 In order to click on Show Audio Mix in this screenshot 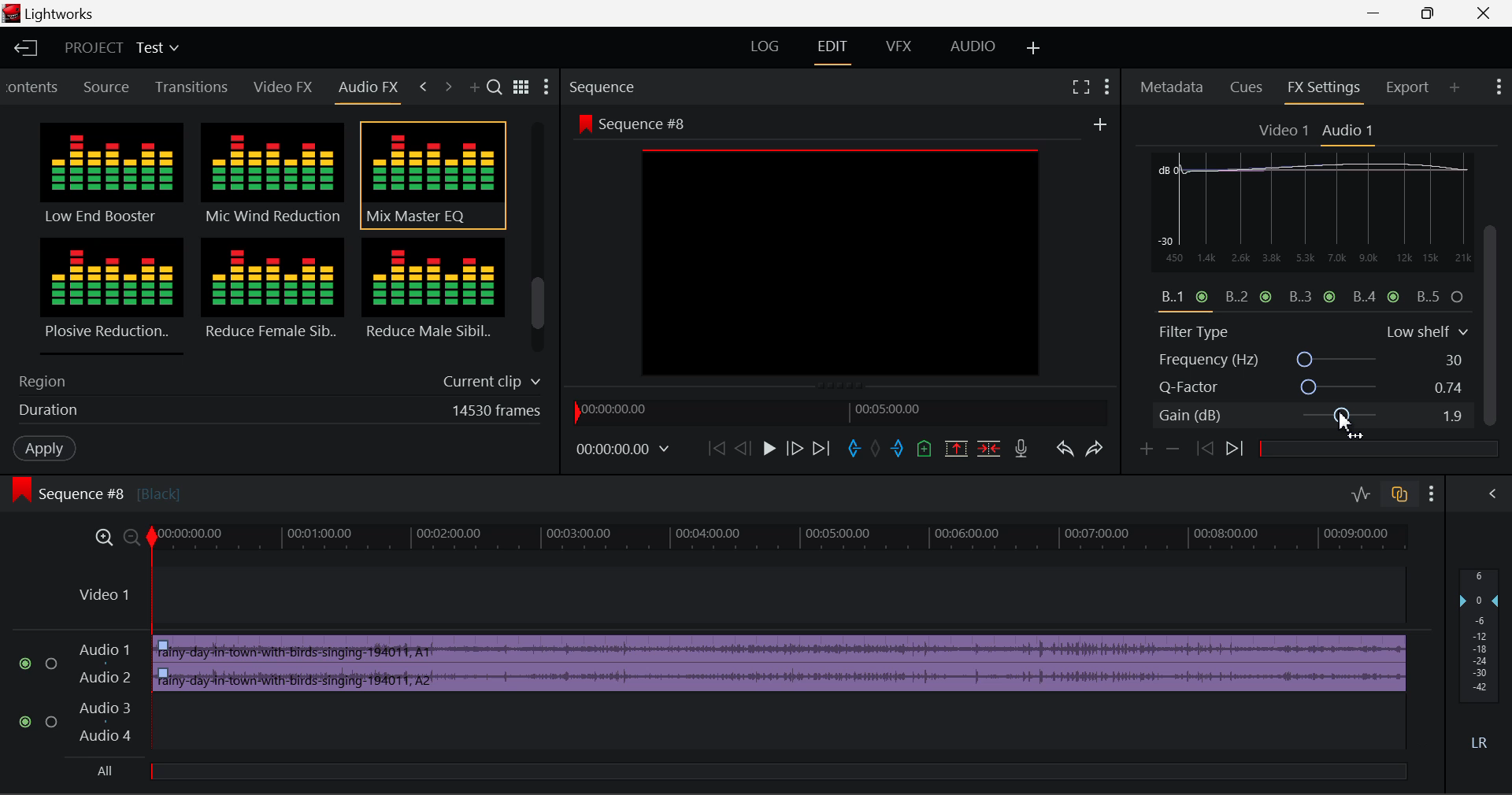, I will do `click(1490, 494)`.